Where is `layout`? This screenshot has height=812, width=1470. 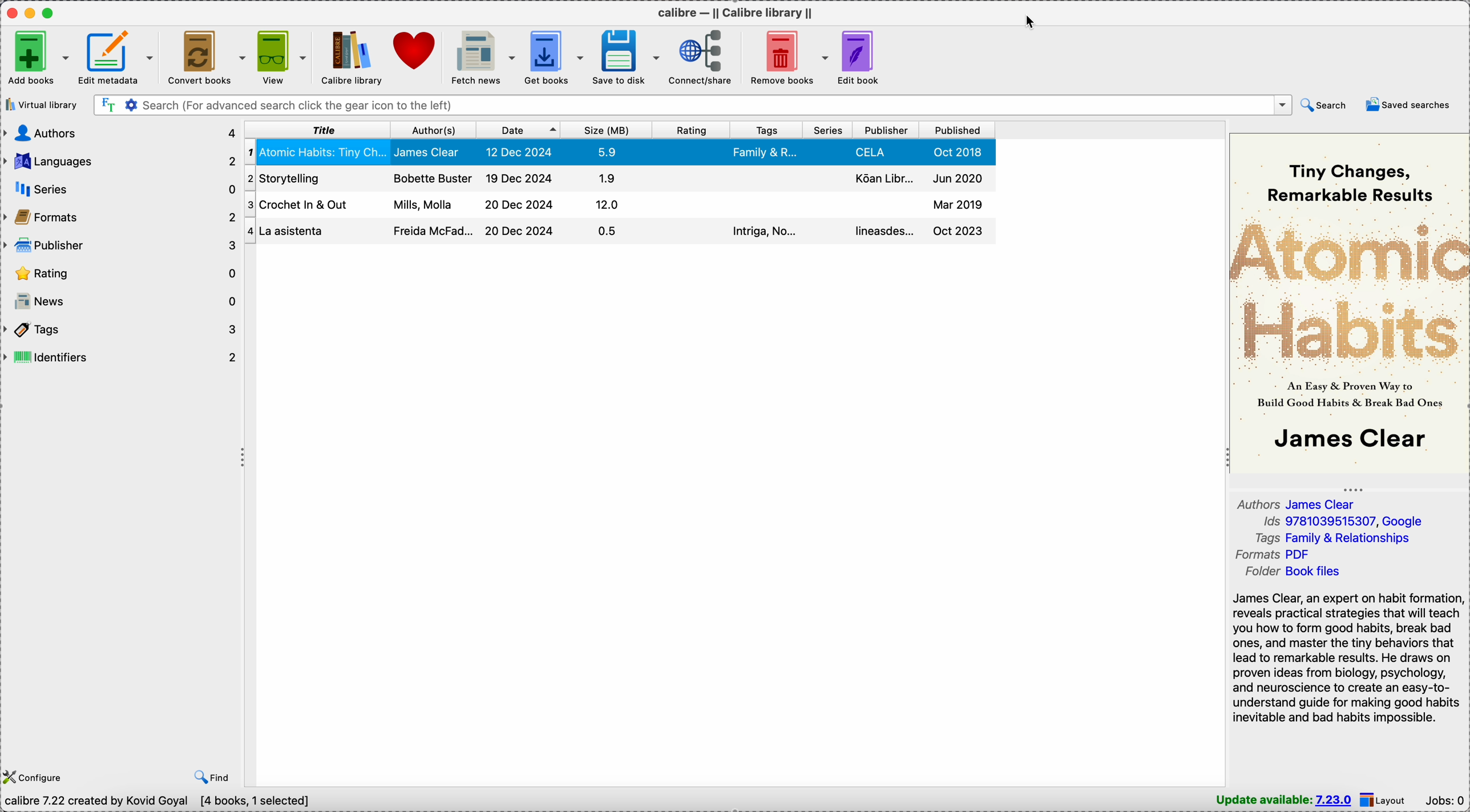
layout is located at coordinates (1386, 801).